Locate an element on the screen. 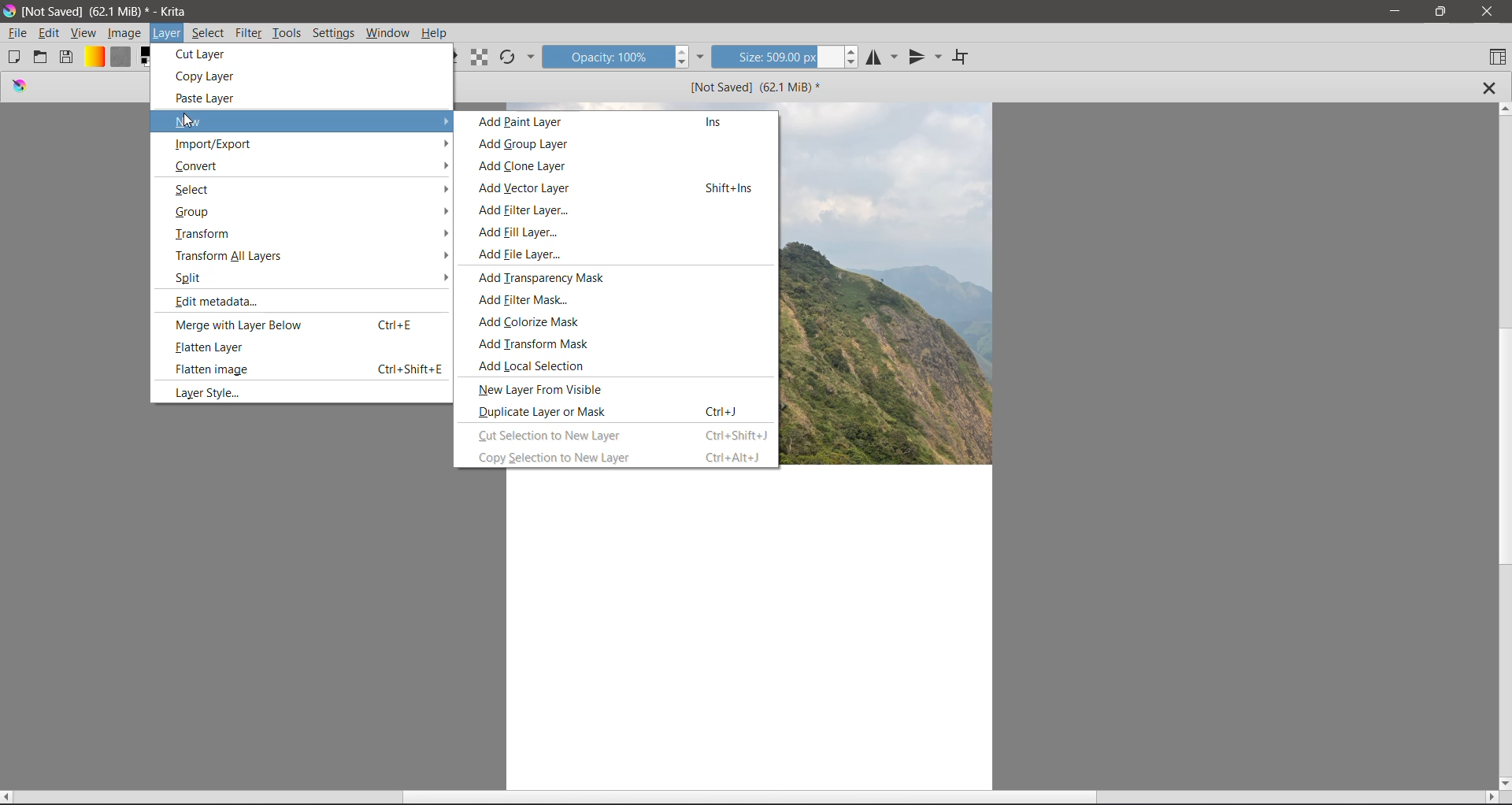 Image resolution: width=1512 pixels, height=805 pixels. Select is located at coordinates (309, 189).